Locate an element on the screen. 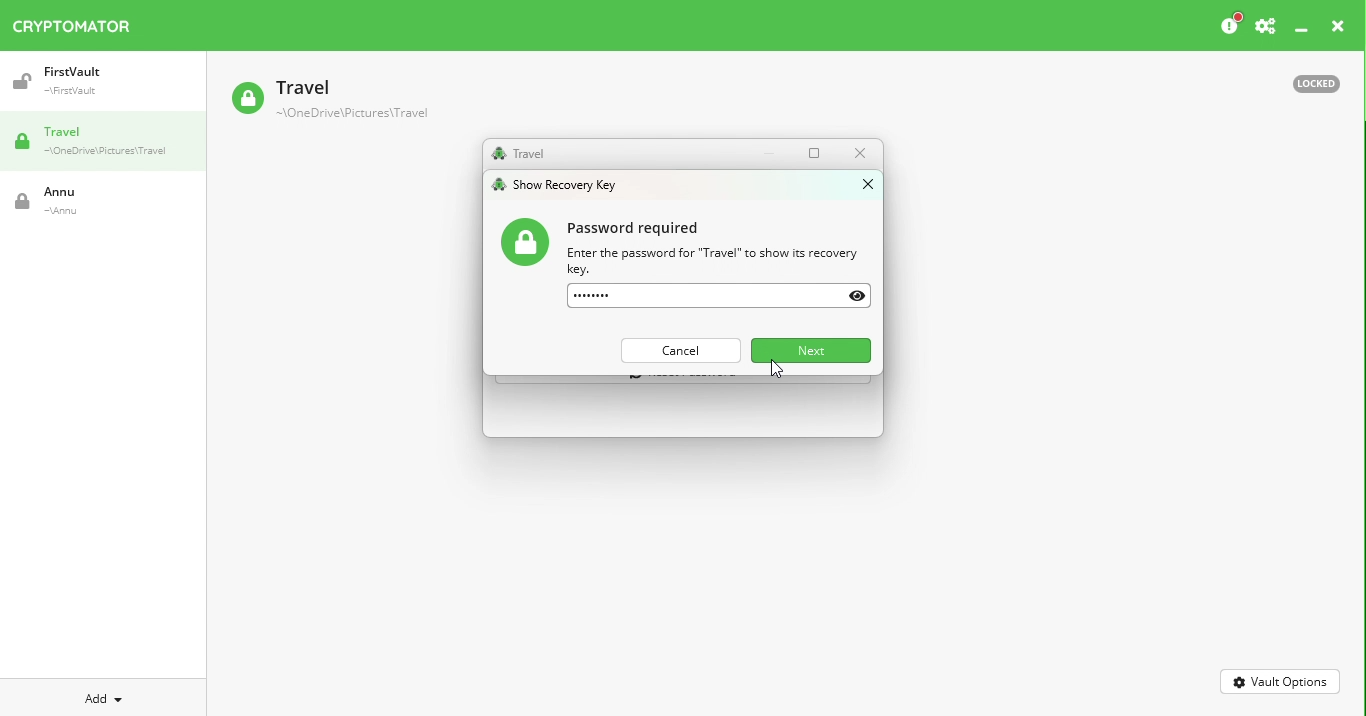 The image size is (1366, 716). Close is located at coordinates (1338, 29).